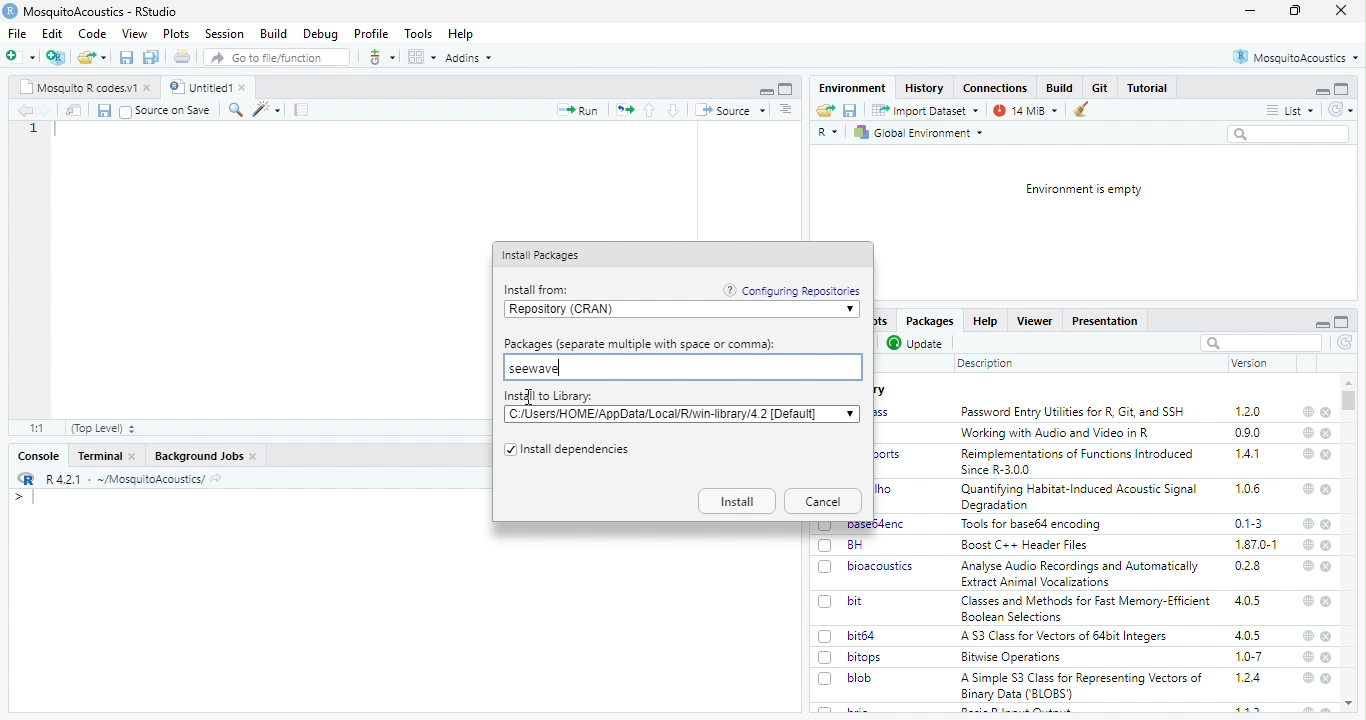 Image resolution: width=1366 pixels, height=720 pixels. I want to click on Debug, so click(322, 35).